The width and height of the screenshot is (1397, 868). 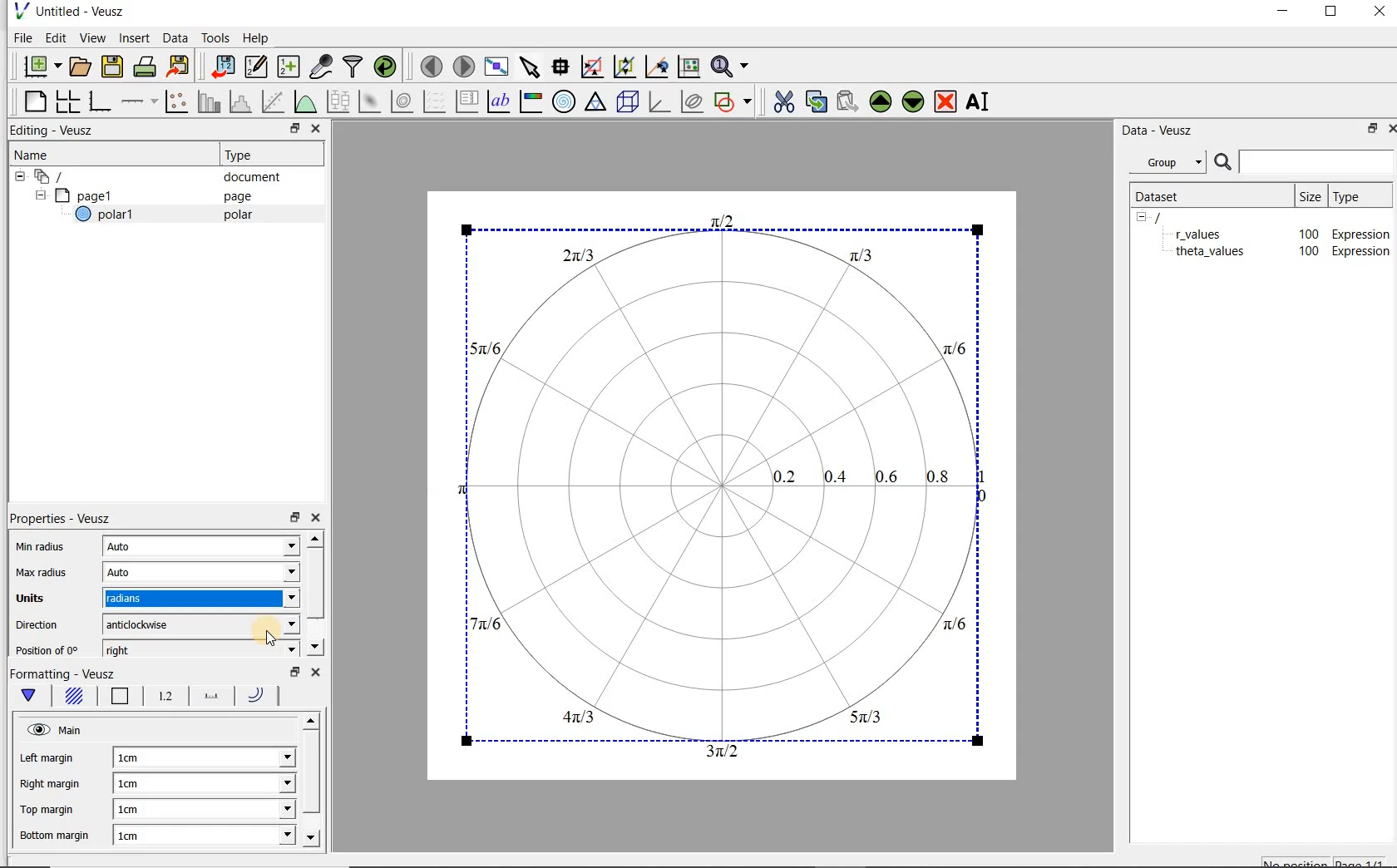 What do you see at coordinates (1305, 160) in the screenshot?
I see `Search bar` at bounding box center [1305, 160].